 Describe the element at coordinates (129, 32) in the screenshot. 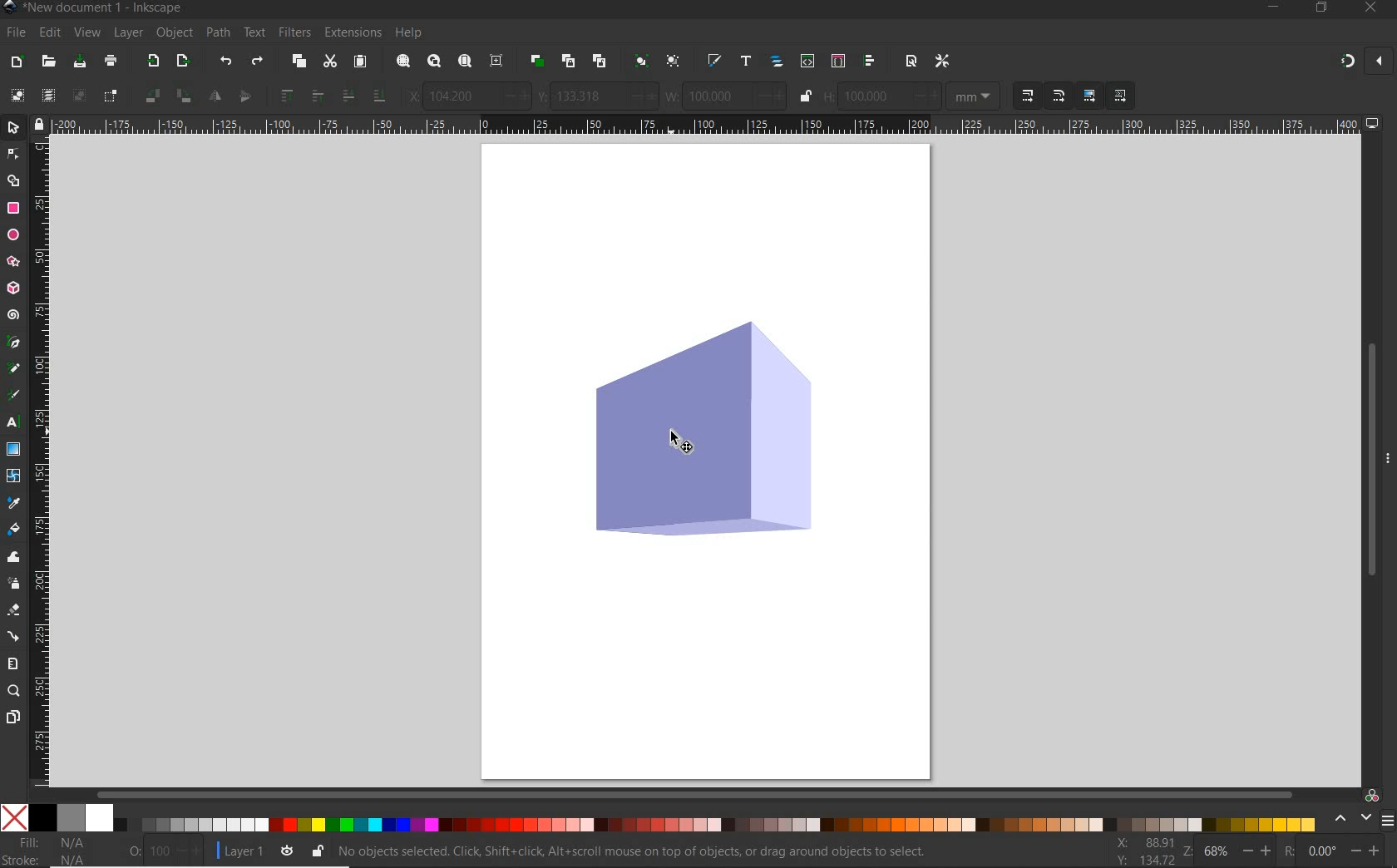

I see `LAYER` at that location.